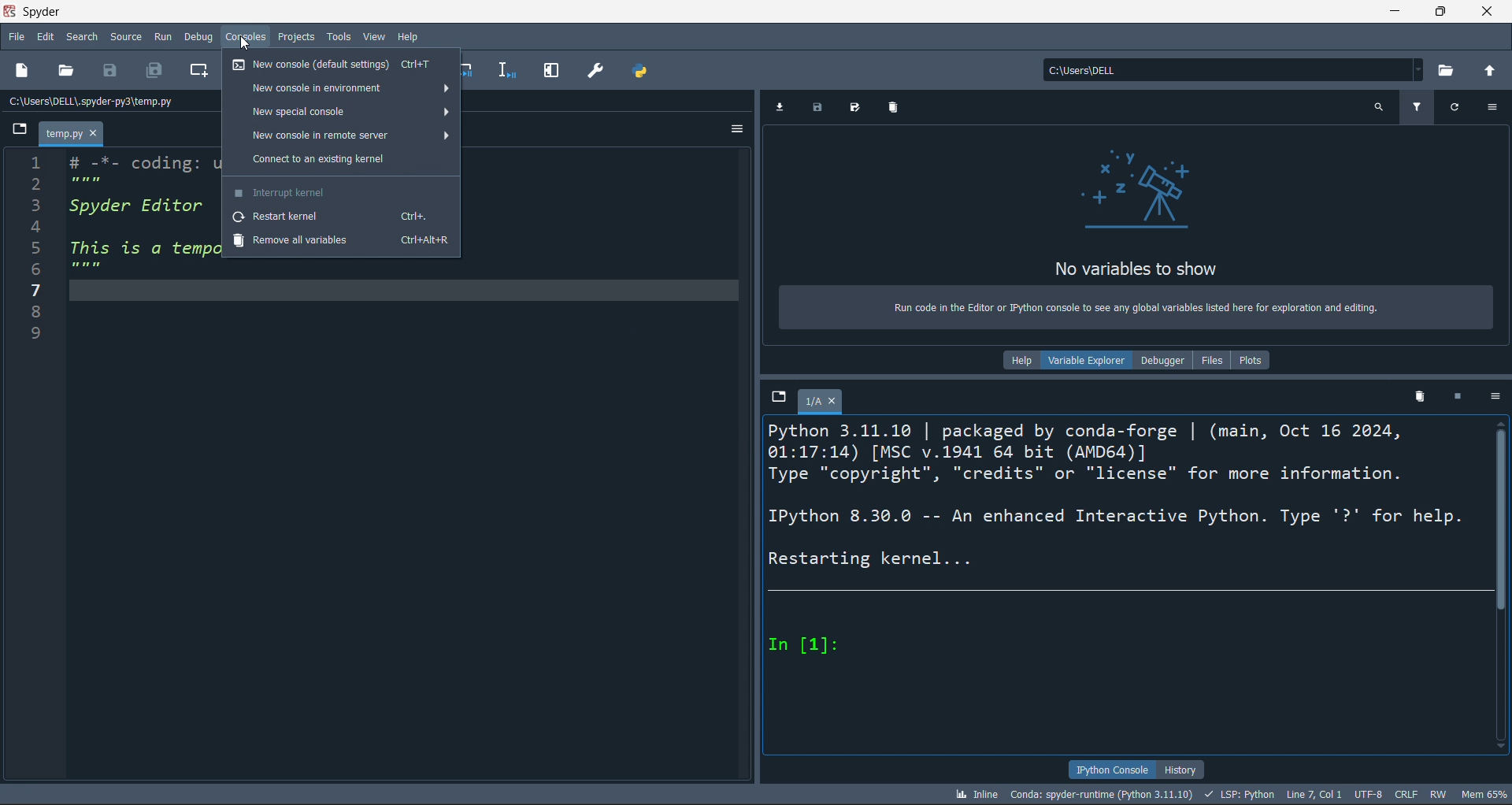 The image size is (1512, 805). What do you see at coordinates (295, 36) in the screenshot?
I see `projects` at bounding box center [295, 36].